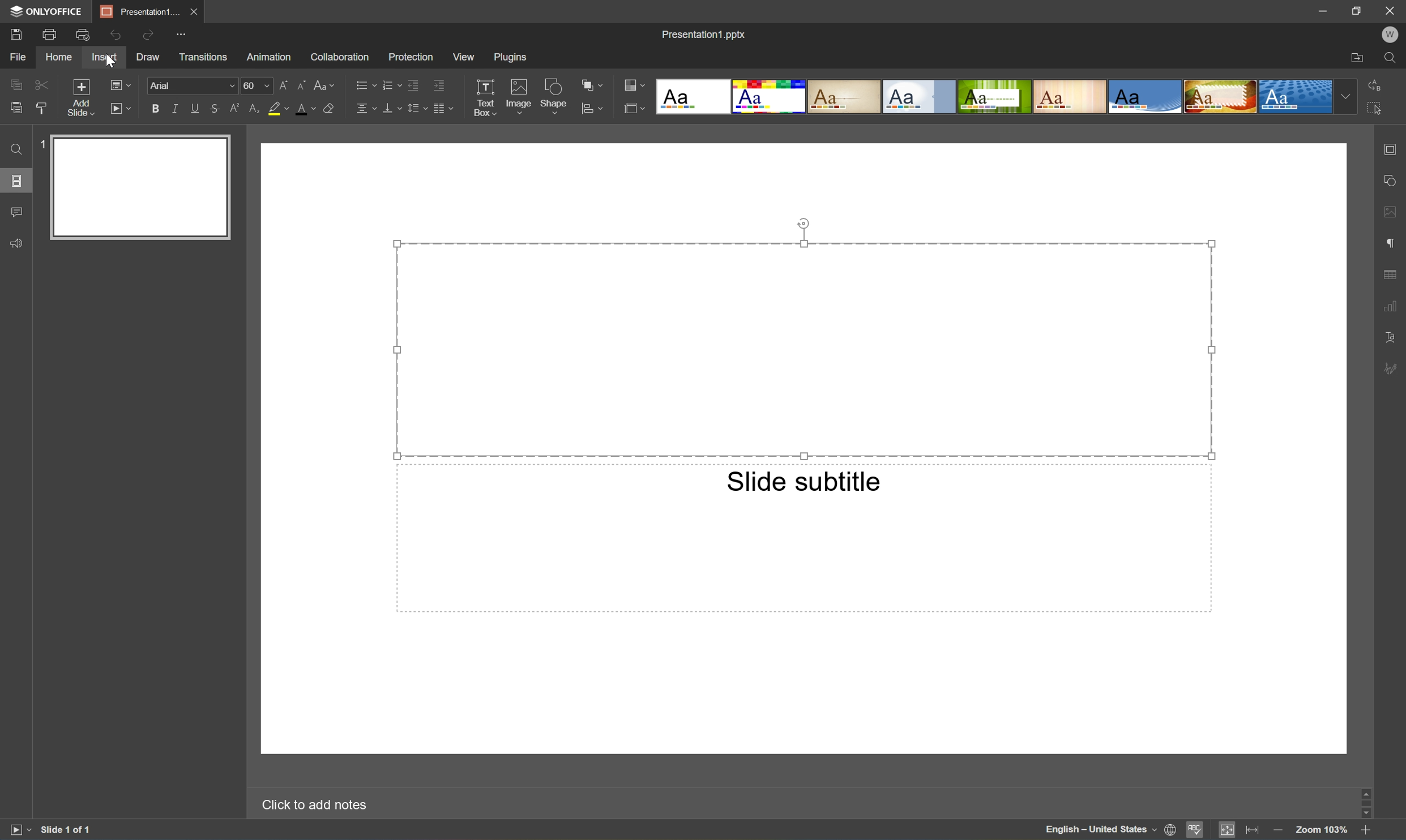  Describe the element at coordinates (1390, 10) in the screenshot. I see `Close` at that location.